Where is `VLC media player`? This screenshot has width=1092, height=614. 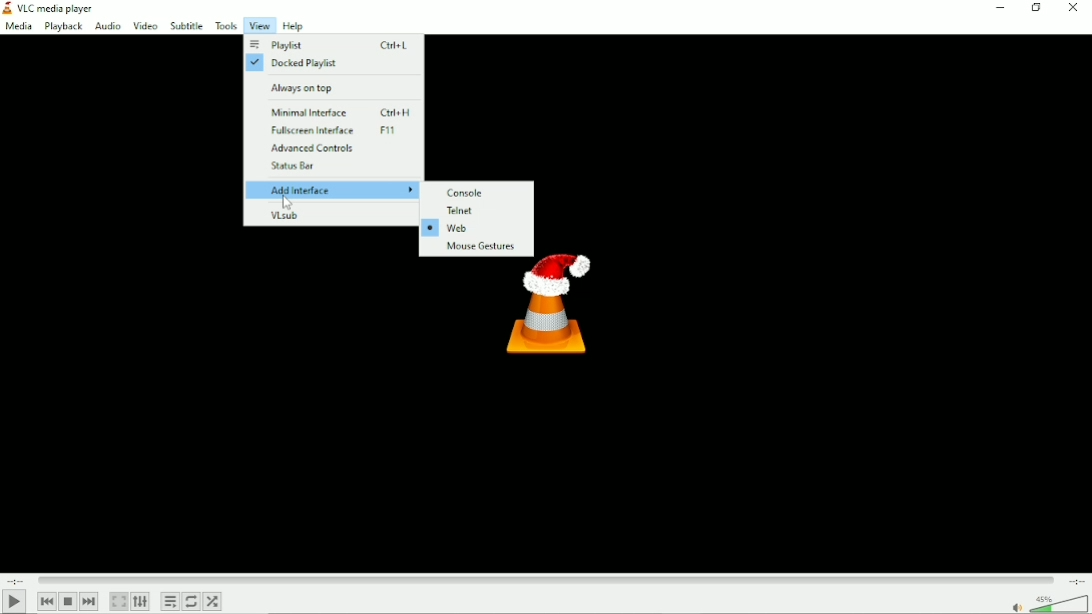 VLC media player is located at coordinates (54, 8).